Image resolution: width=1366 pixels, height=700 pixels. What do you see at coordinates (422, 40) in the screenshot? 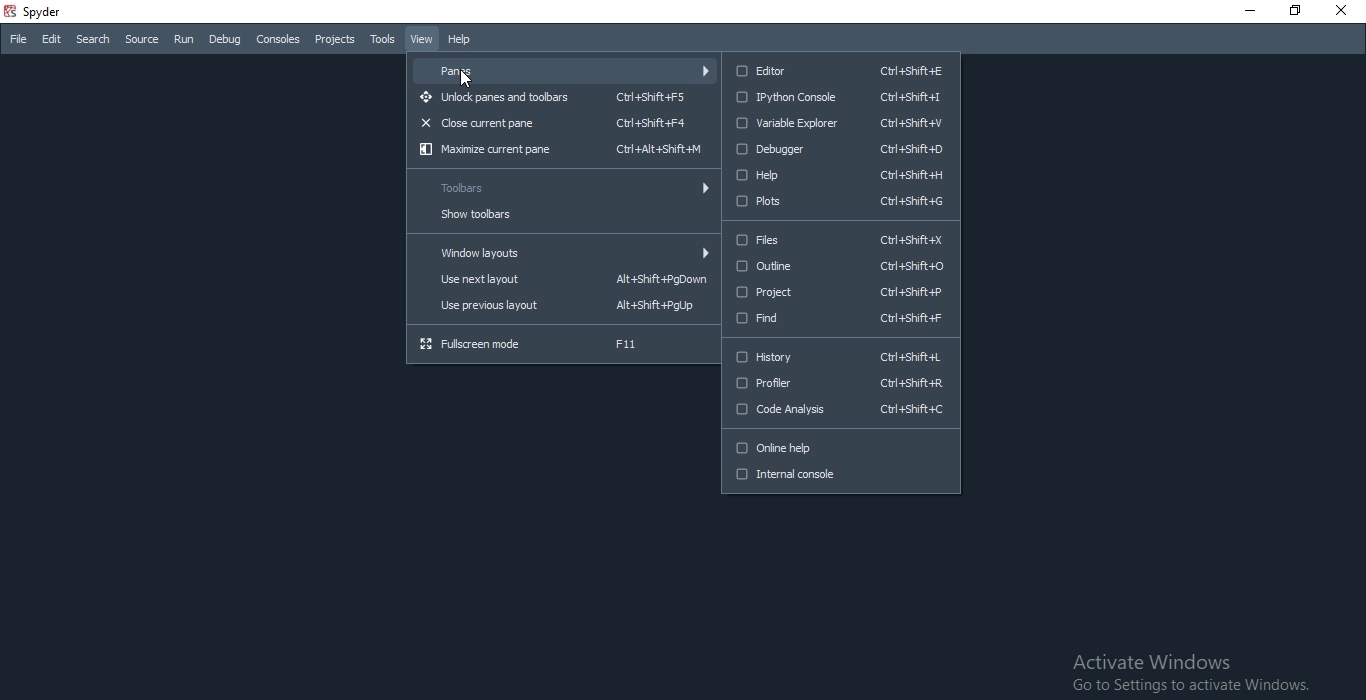
I see `View` at bounding box center [422, 40].